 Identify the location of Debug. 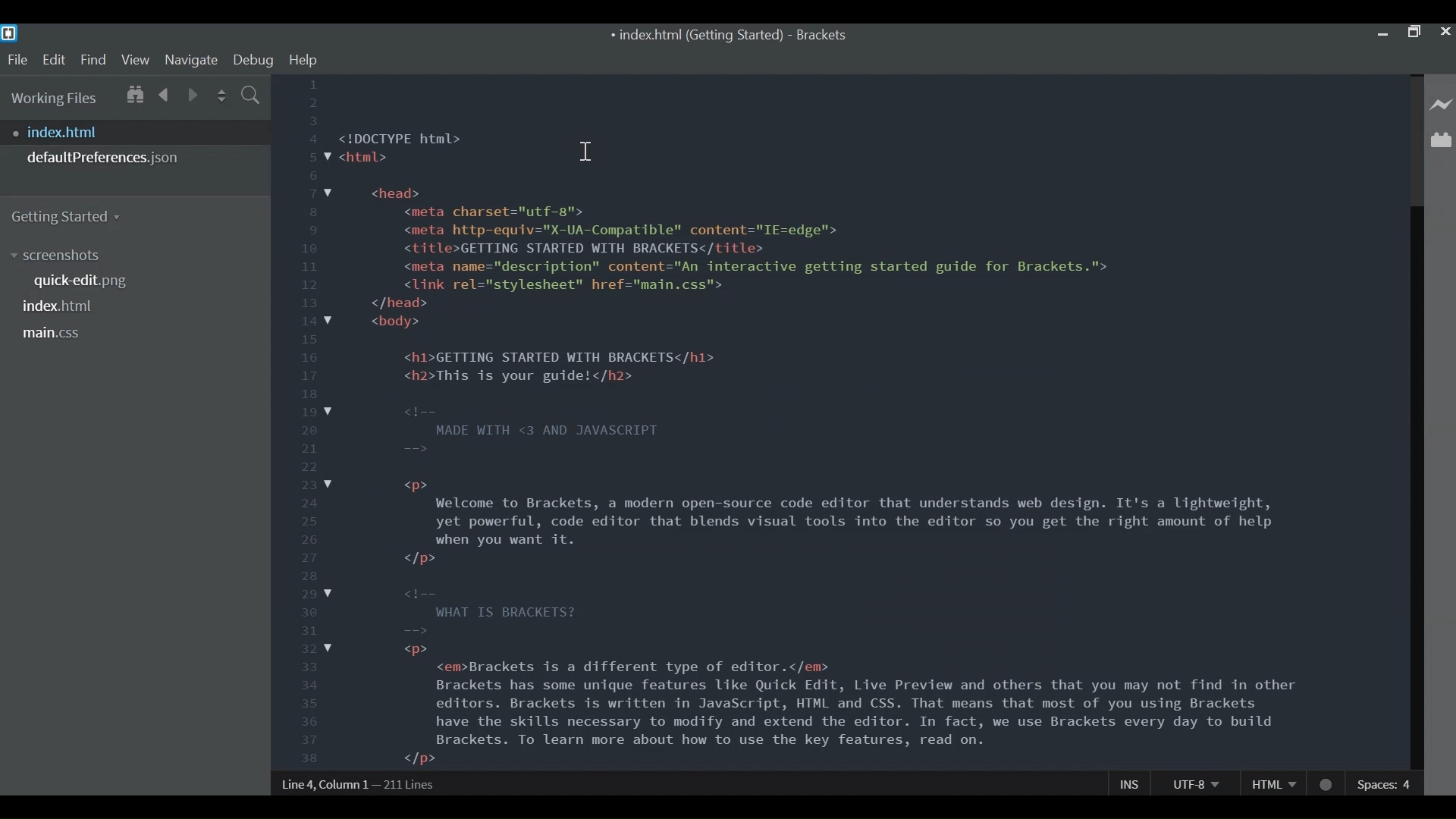
(253, 60).